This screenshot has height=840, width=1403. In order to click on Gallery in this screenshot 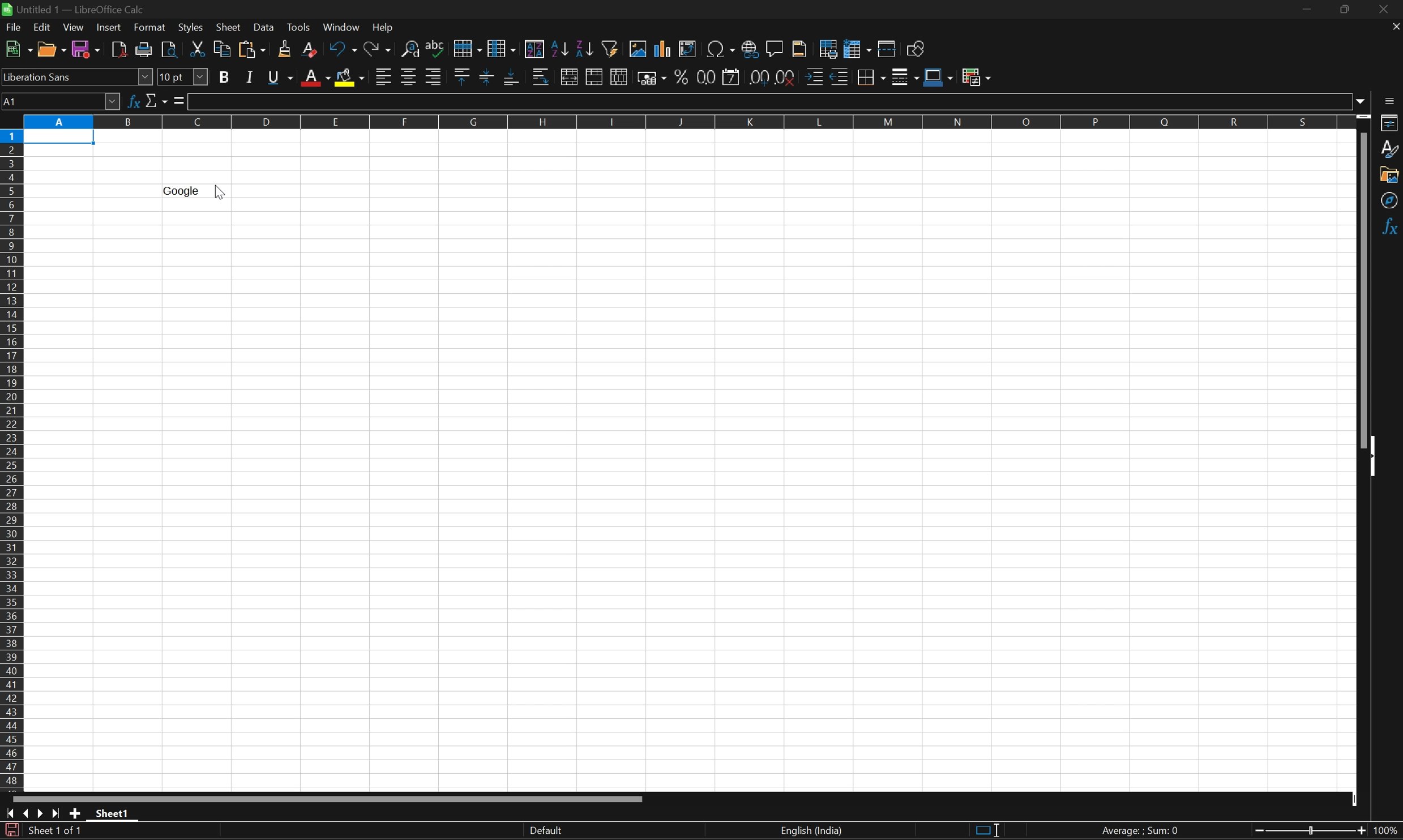, I will do `click(1390, 174)`.